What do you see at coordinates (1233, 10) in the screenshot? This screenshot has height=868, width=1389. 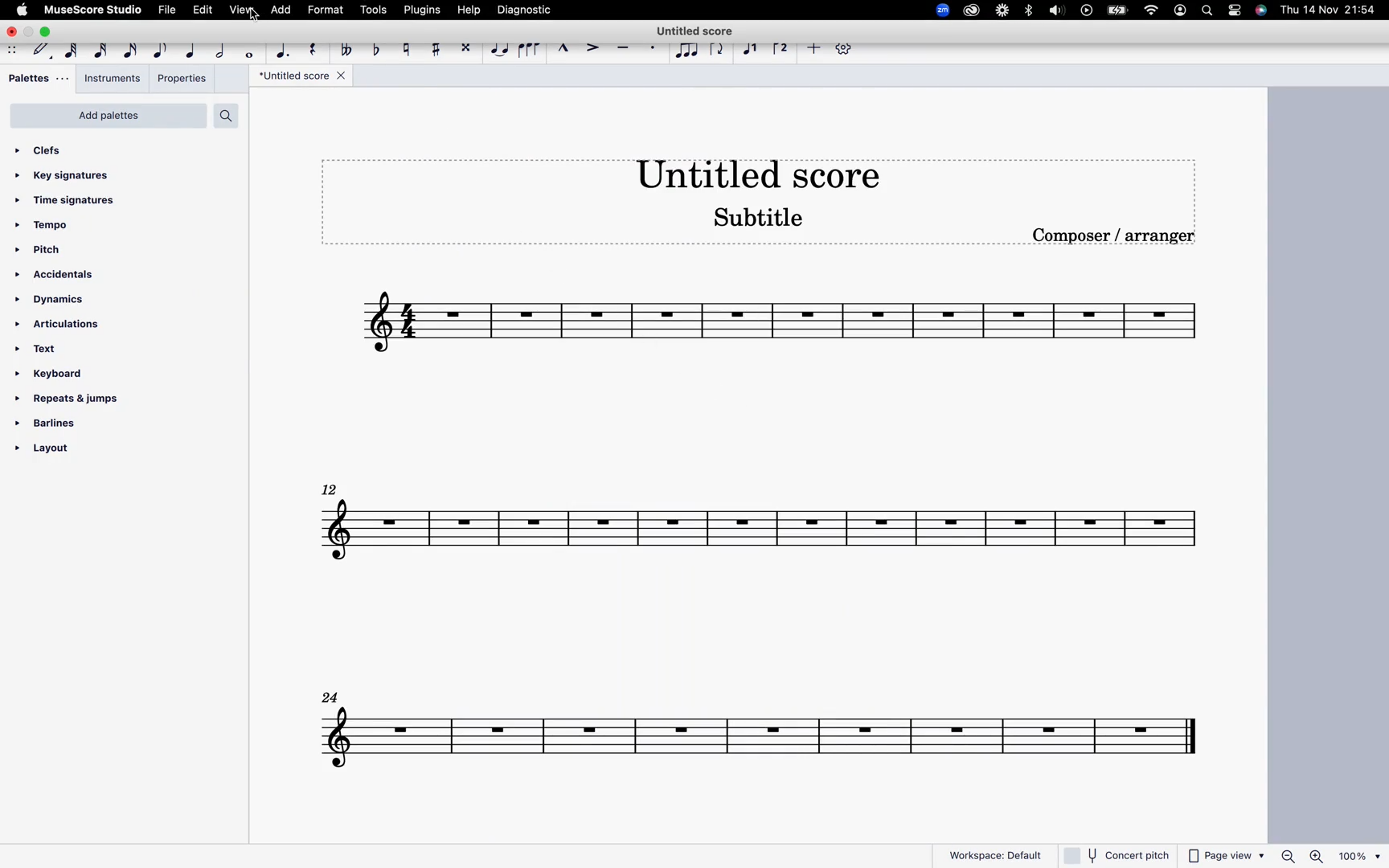 I see `settings` at bounding box center [1233, 10].